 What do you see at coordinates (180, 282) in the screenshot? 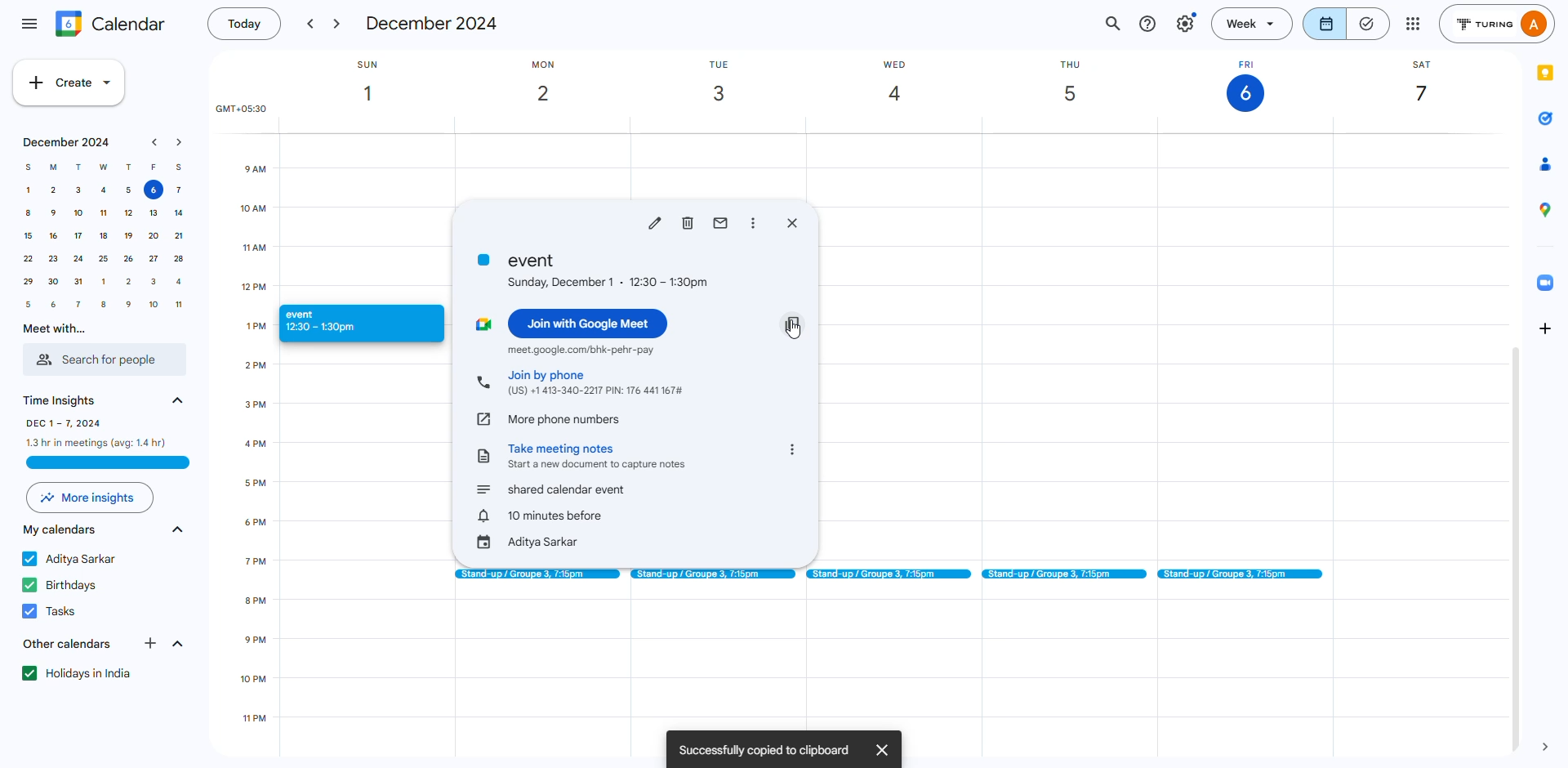
I see `4` at bounding box center [180, 282].